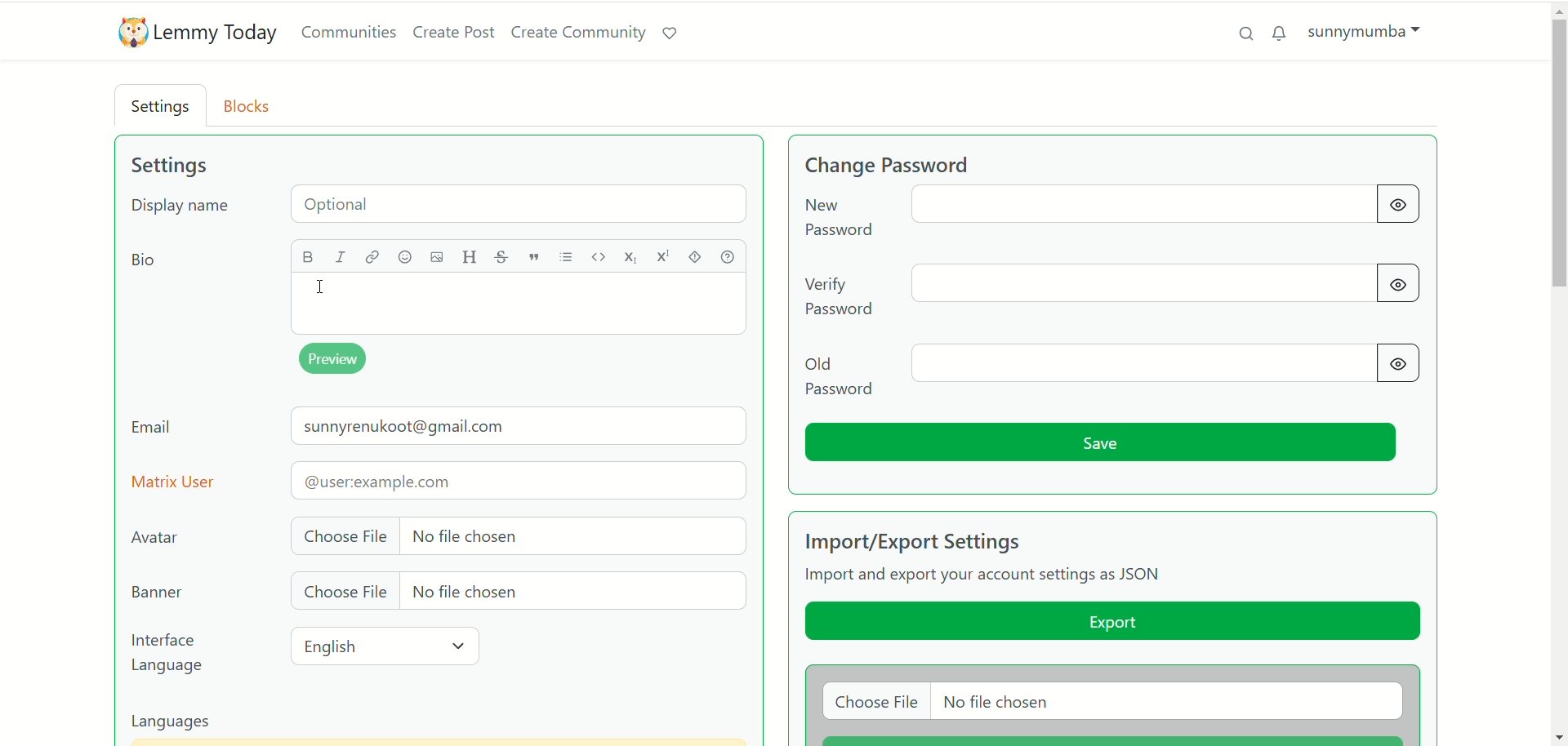  I want to click on list, so click(569, 257).